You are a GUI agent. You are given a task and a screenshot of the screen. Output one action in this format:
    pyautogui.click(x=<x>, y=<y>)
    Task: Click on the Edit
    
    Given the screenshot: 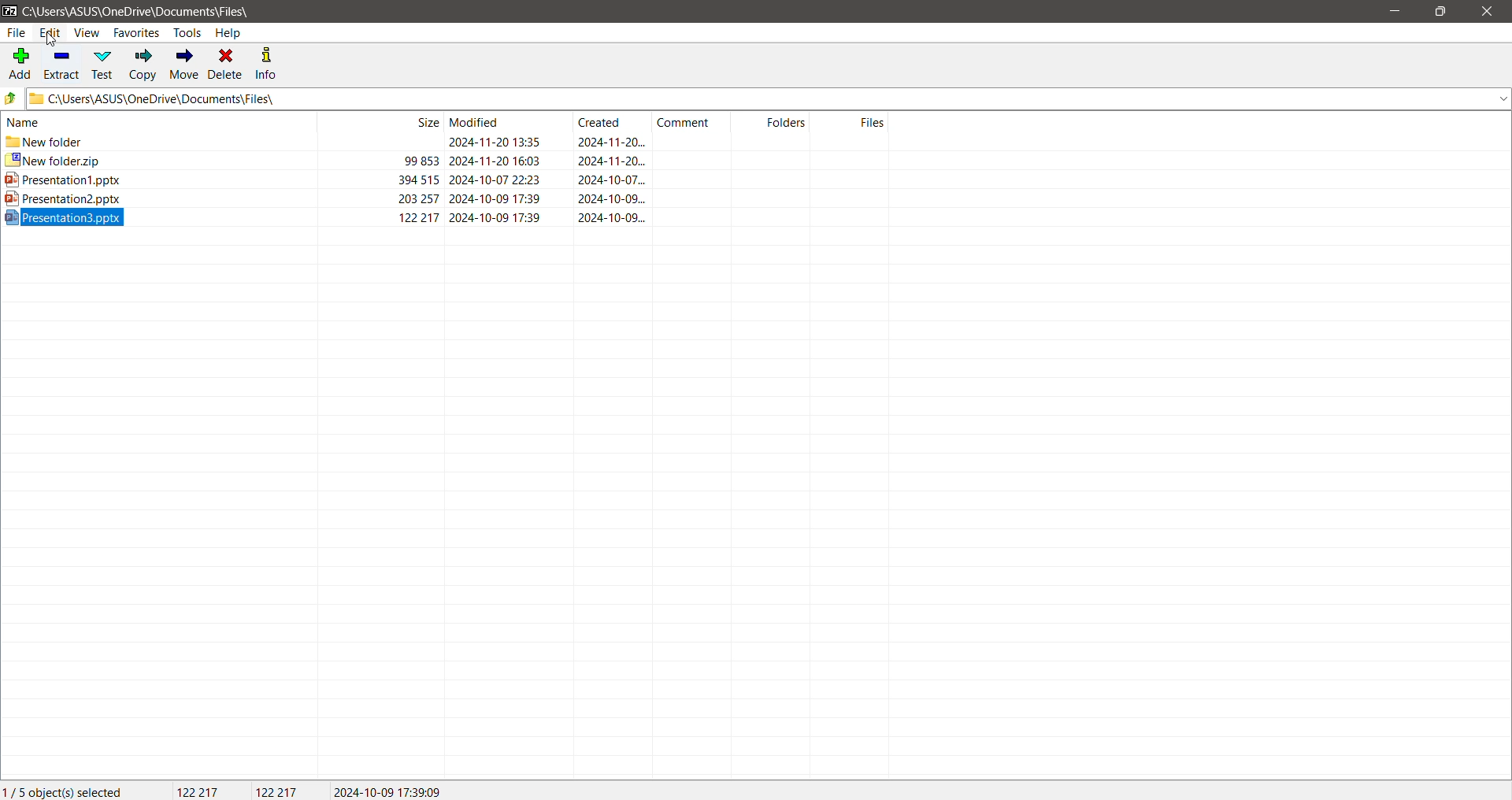 What is the action you would take?
    pyautogui.click(x=50, y=33)
    